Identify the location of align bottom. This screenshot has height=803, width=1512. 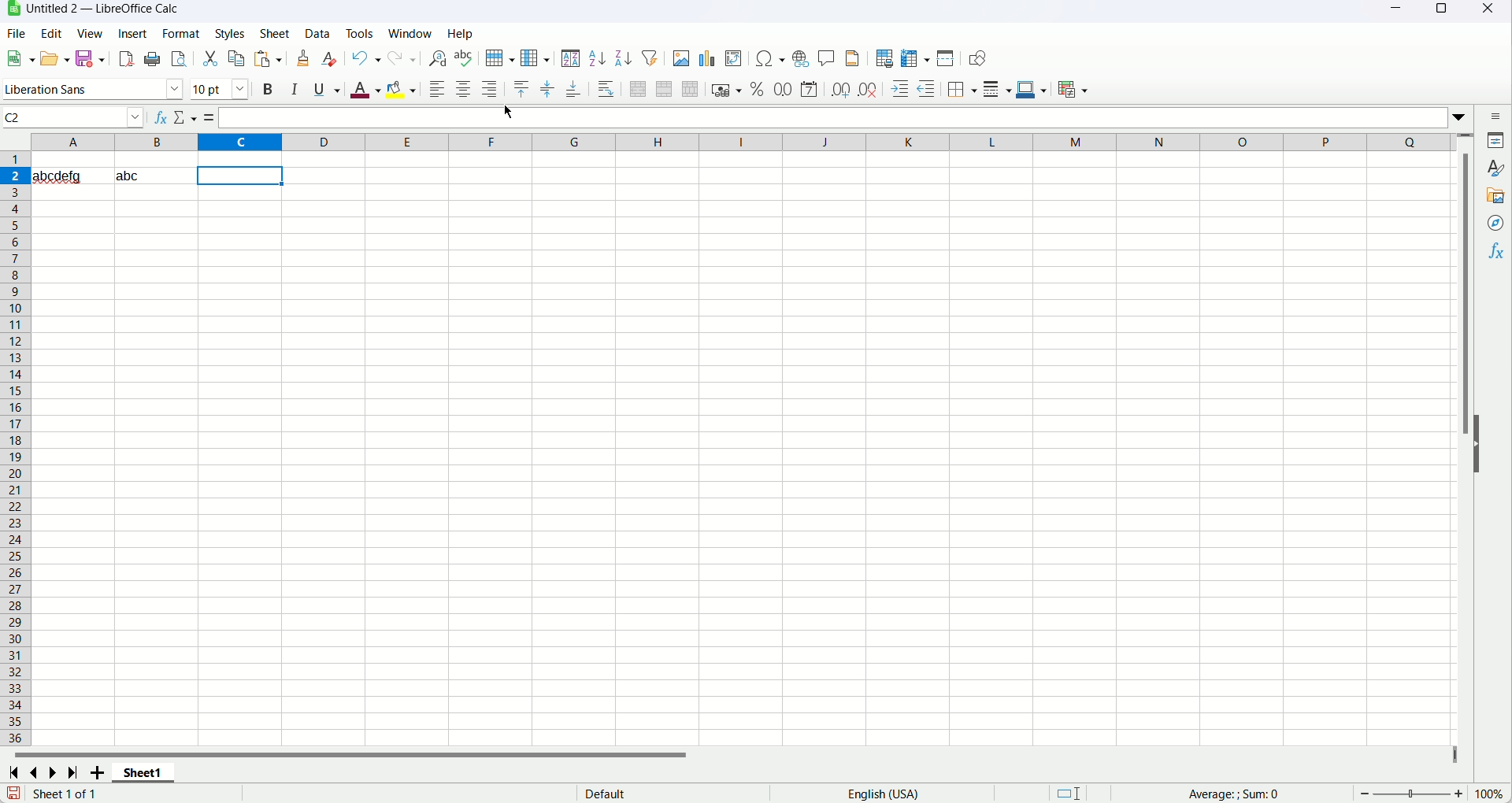
(573, 89).